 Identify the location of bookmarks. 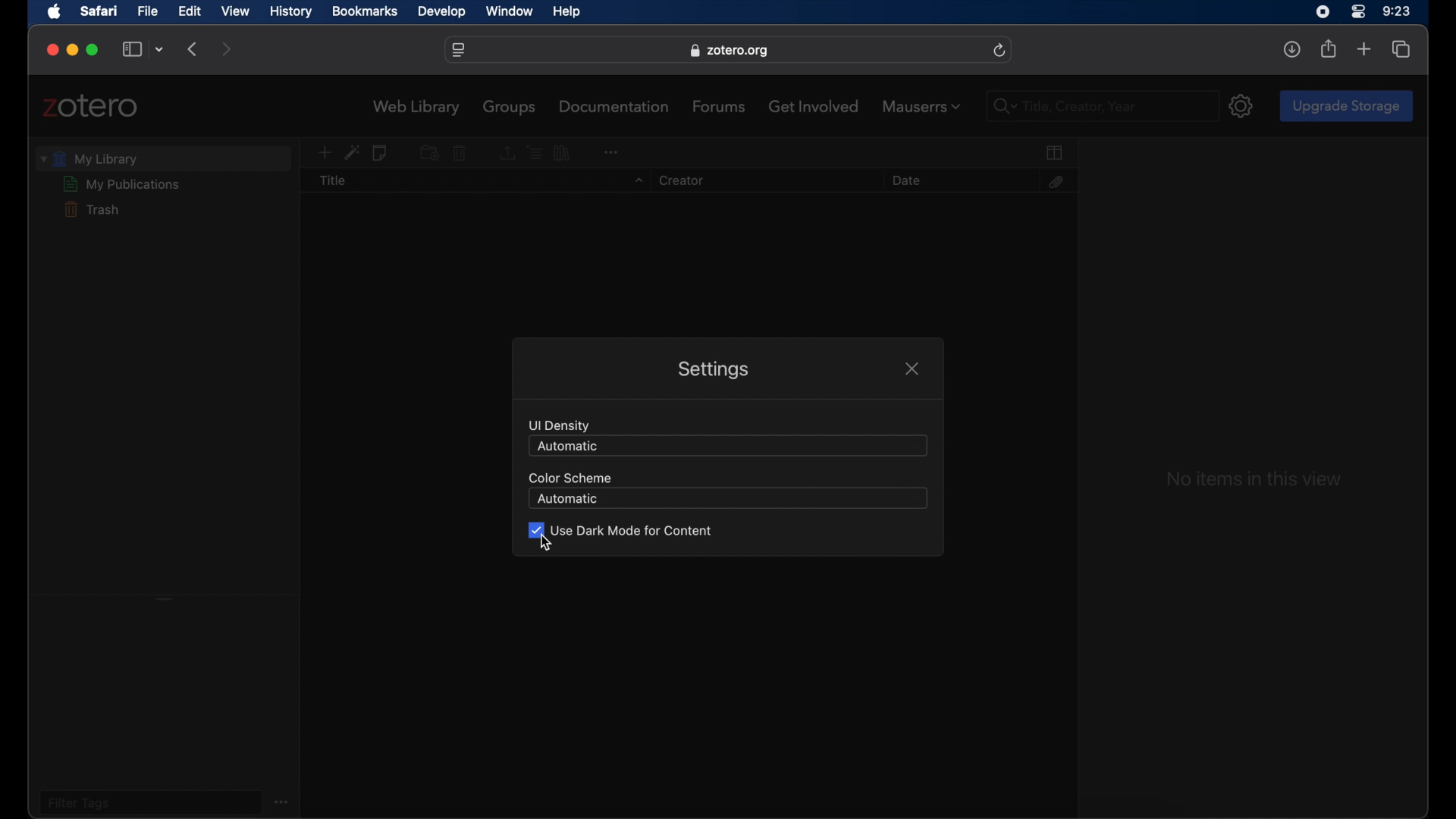
(365, 11).